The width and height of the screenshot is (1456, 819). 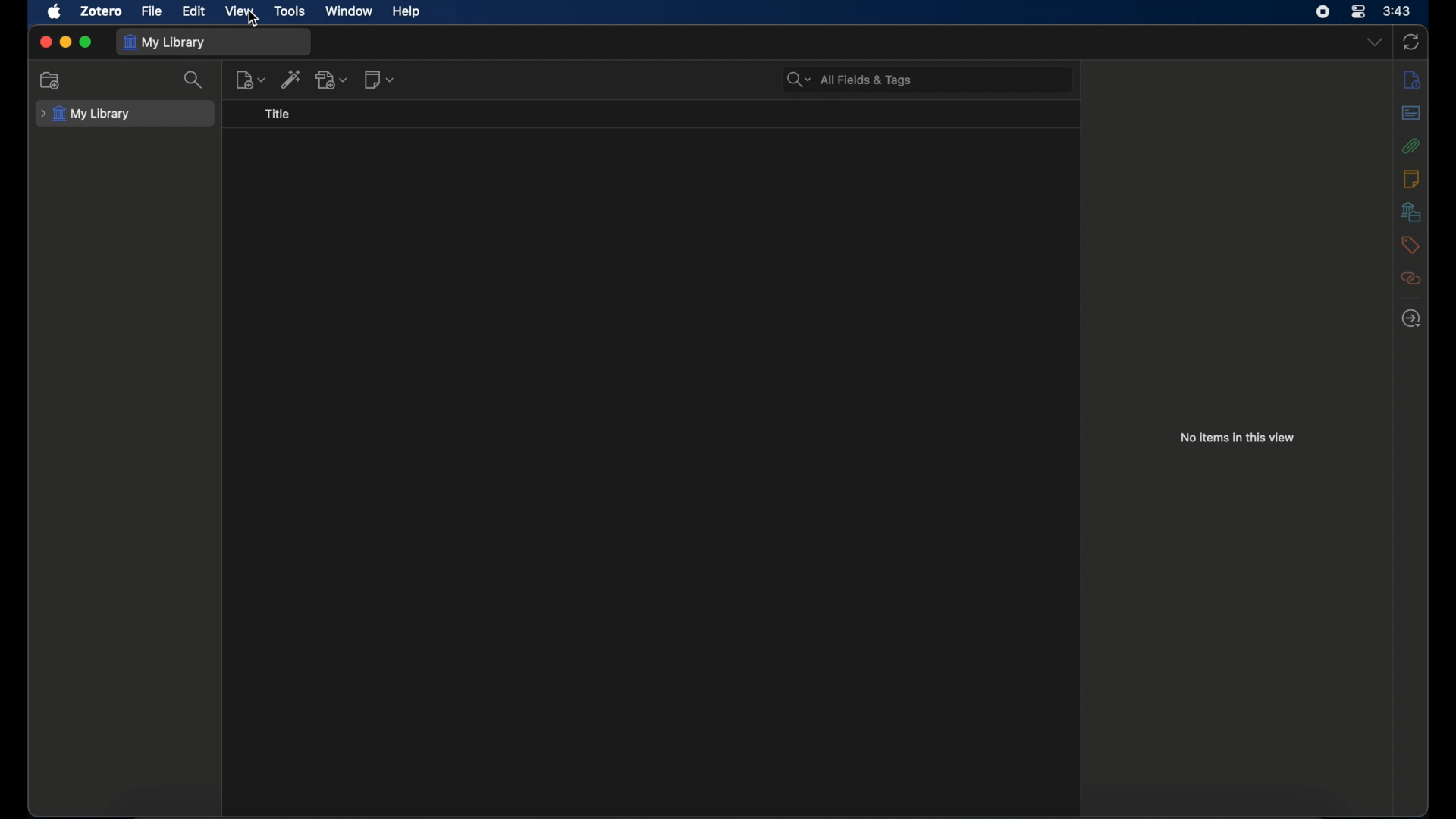 I want to click on libraries, so click(x=1410, y=212).